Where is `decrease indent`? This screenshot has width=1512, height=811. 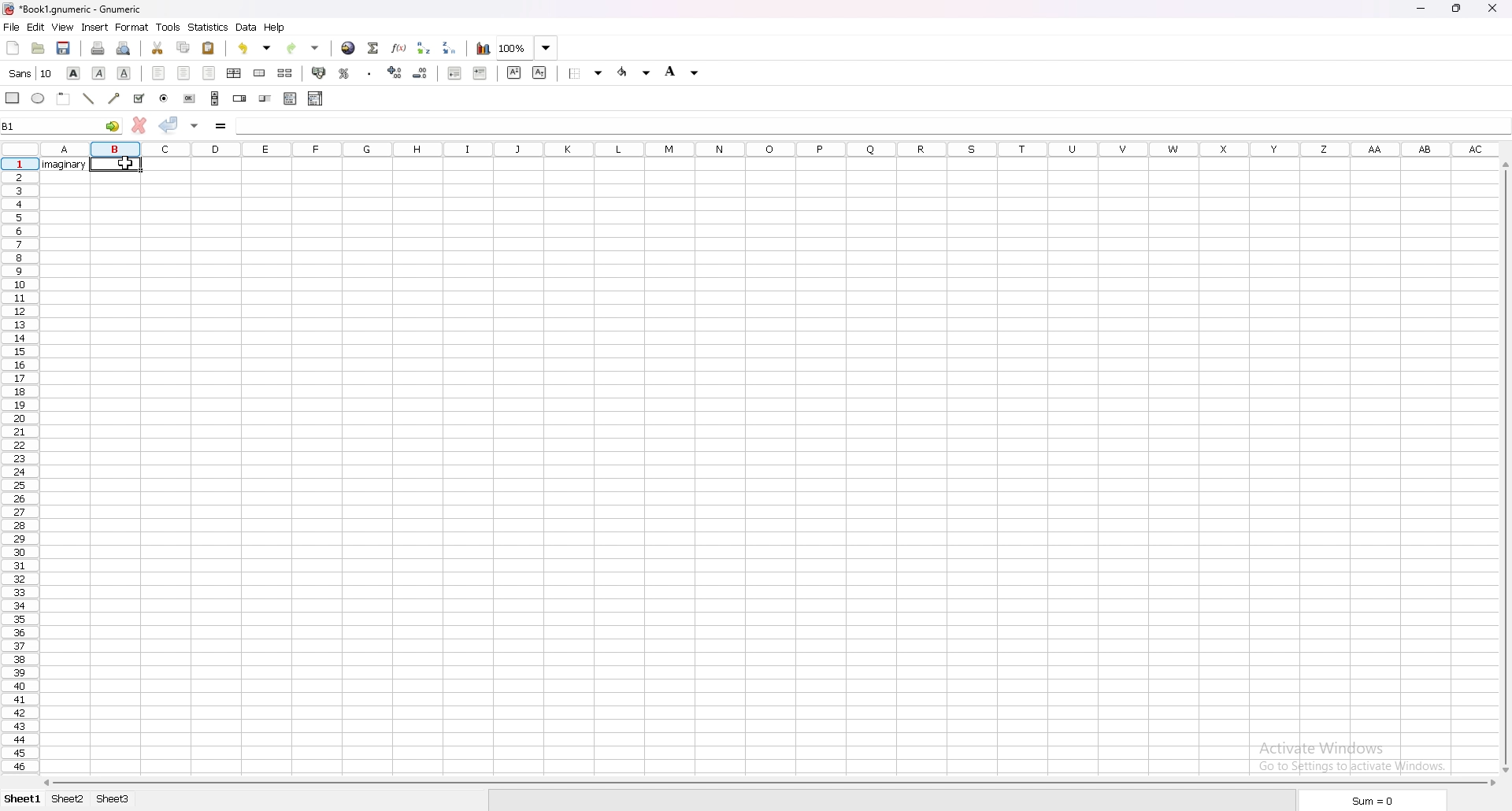
decrease indent is located at coordinates (454, 74).